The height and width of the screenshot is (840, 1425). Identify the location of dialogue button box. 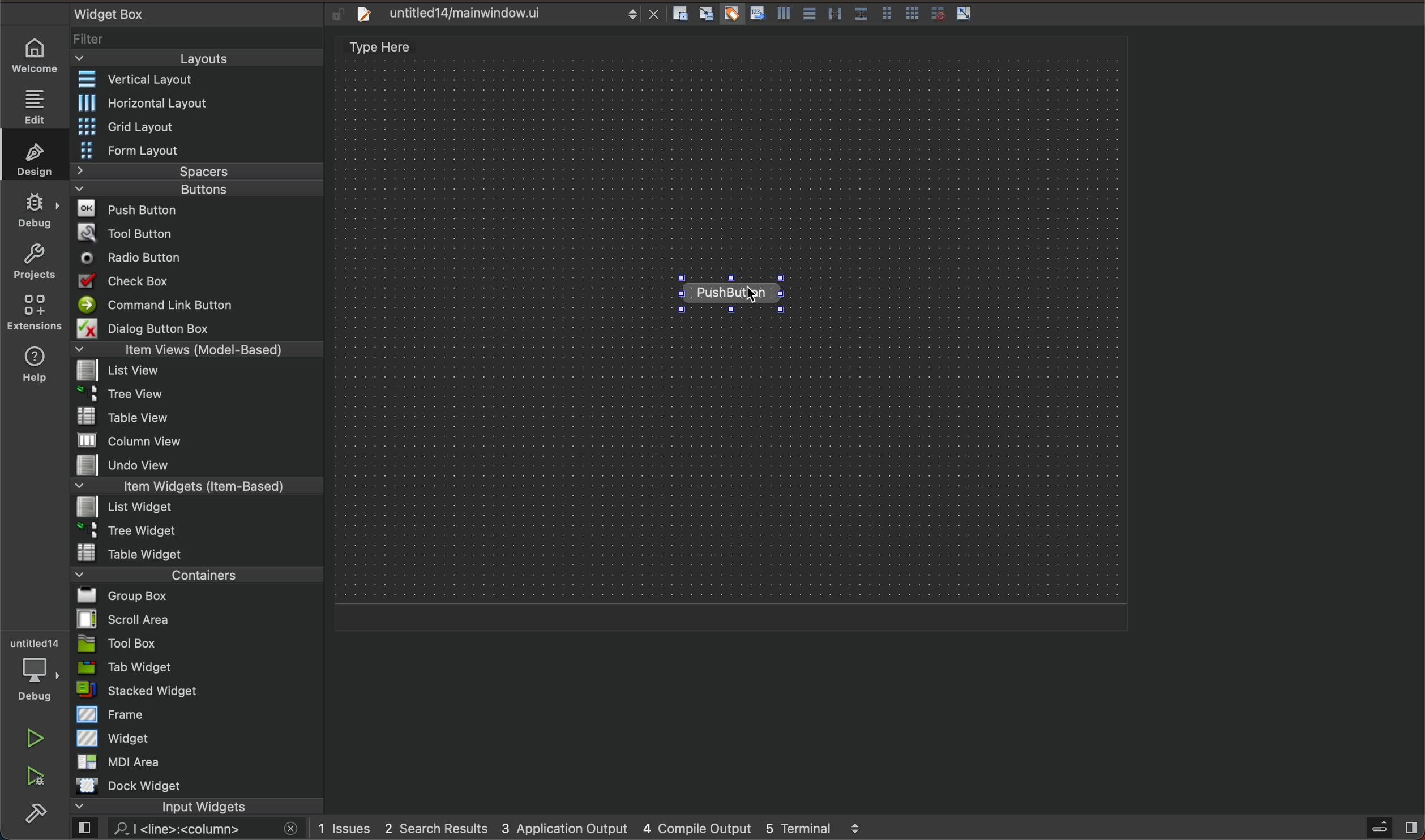
(199, 329).